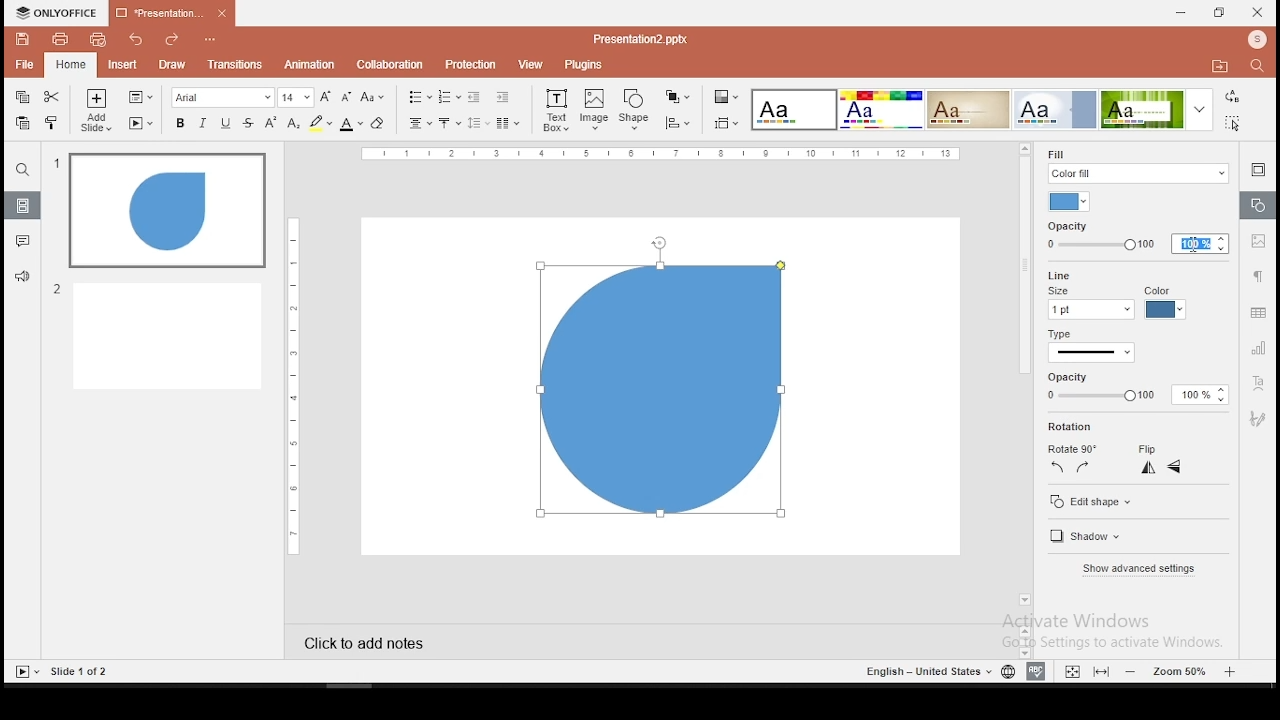  Describe the element at coordinates (22, 39) in the screenshot. I see `save` at that location.